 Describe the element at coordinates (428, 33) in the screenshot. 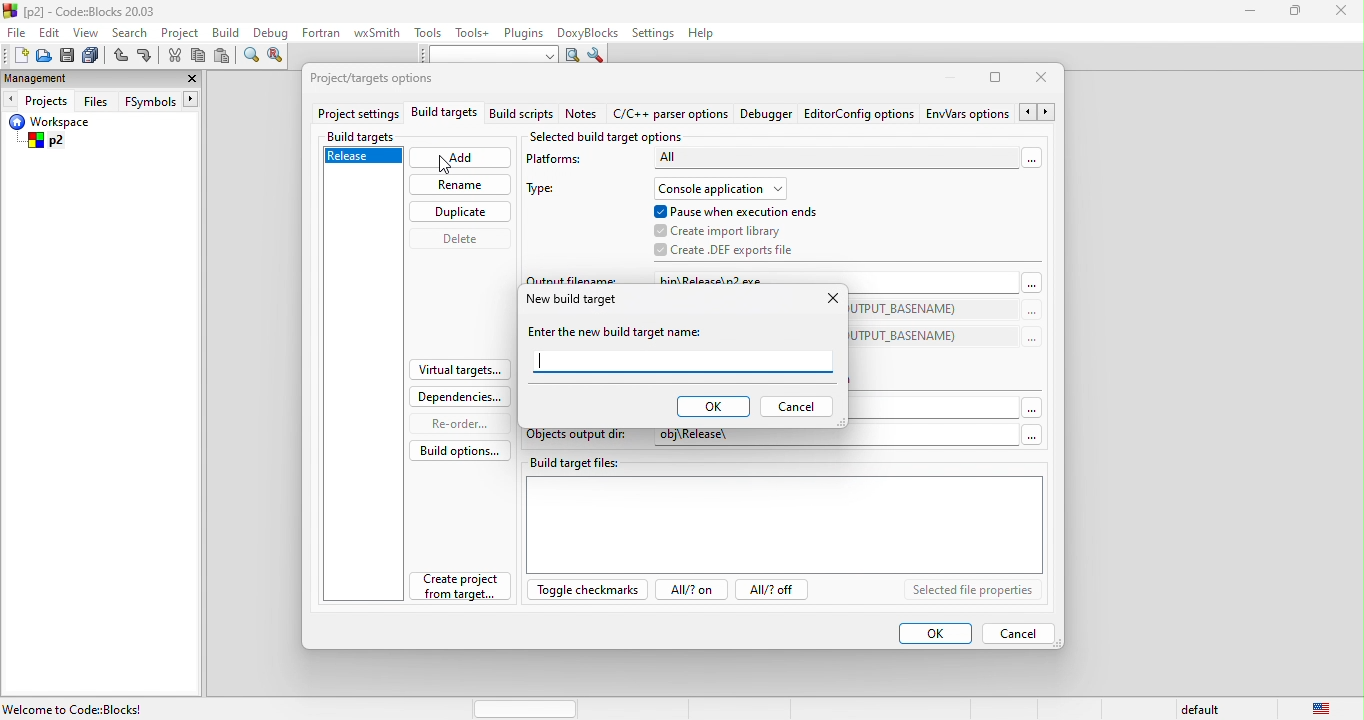

I see `tools` at that location.